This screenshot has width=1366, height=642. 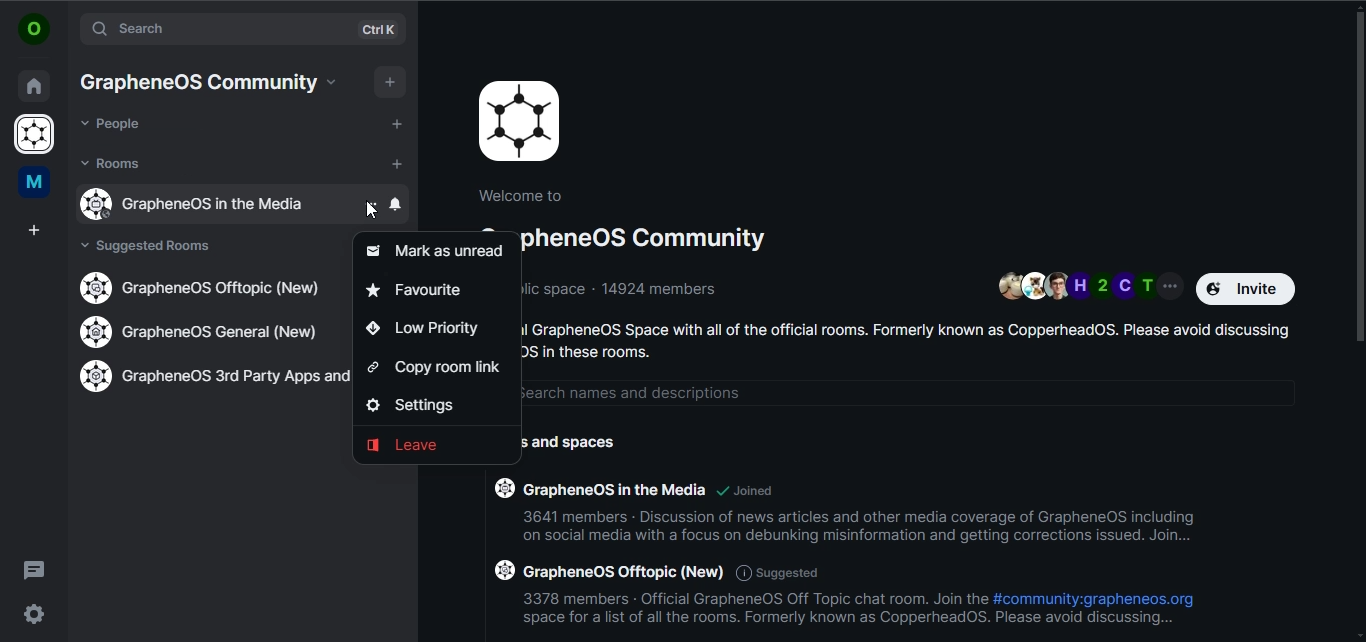 I want to click on room options, so click(x=372, y=203).